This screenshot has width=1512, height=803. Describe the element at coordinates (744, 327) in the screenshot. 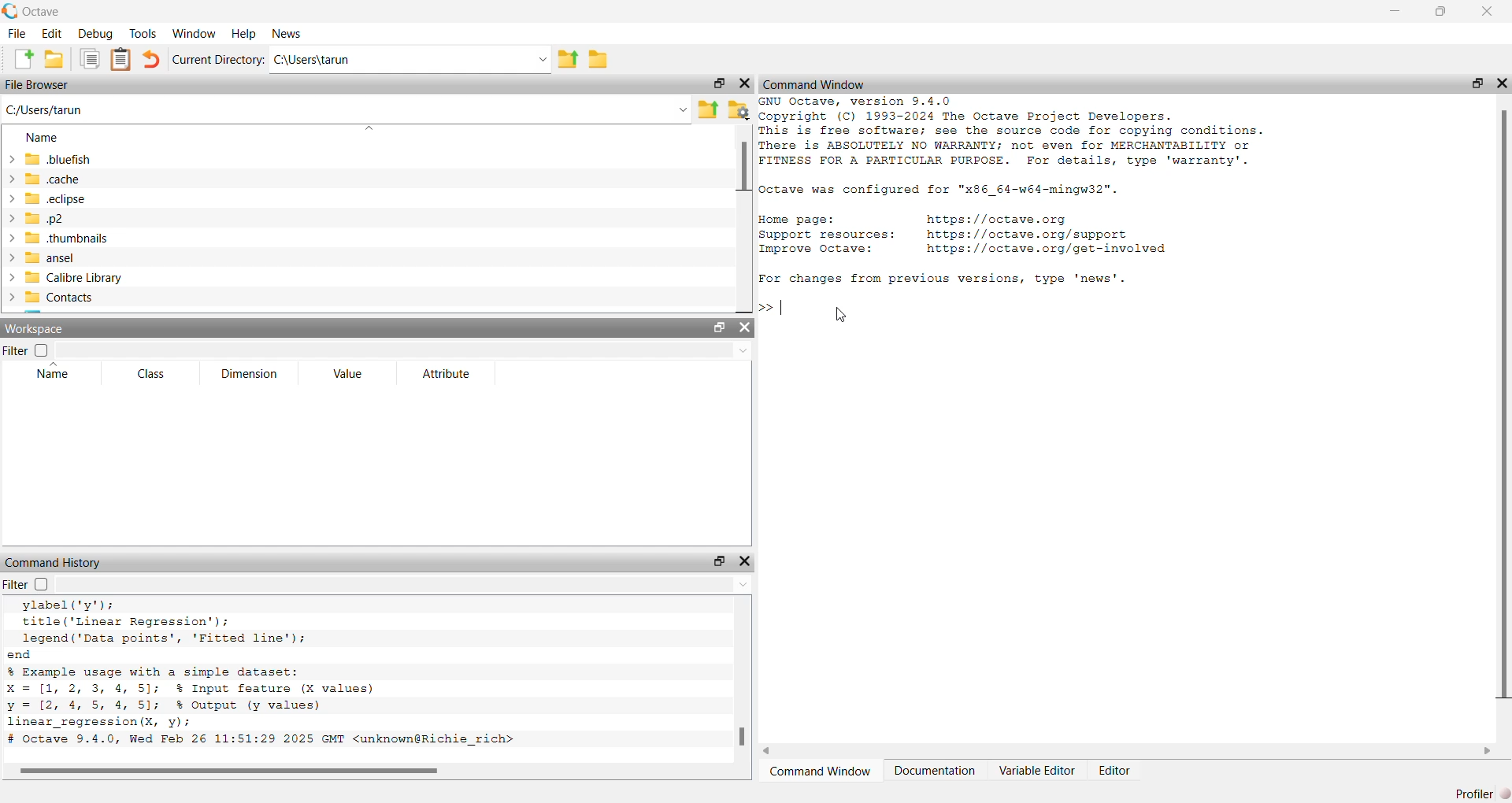

I see `close widget` at that location.